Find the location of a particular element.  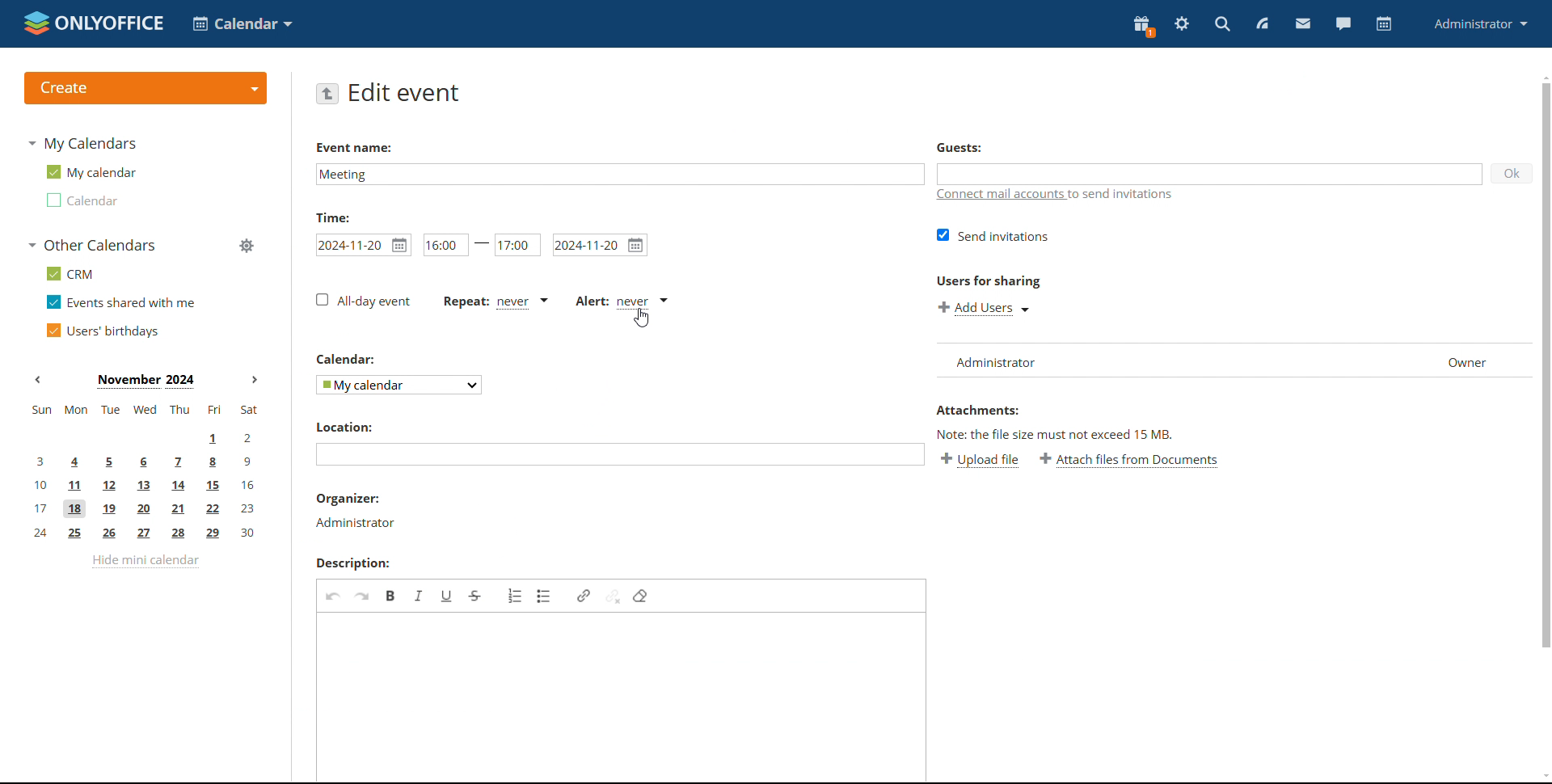

Calendar is located at coordinates (344, 360).